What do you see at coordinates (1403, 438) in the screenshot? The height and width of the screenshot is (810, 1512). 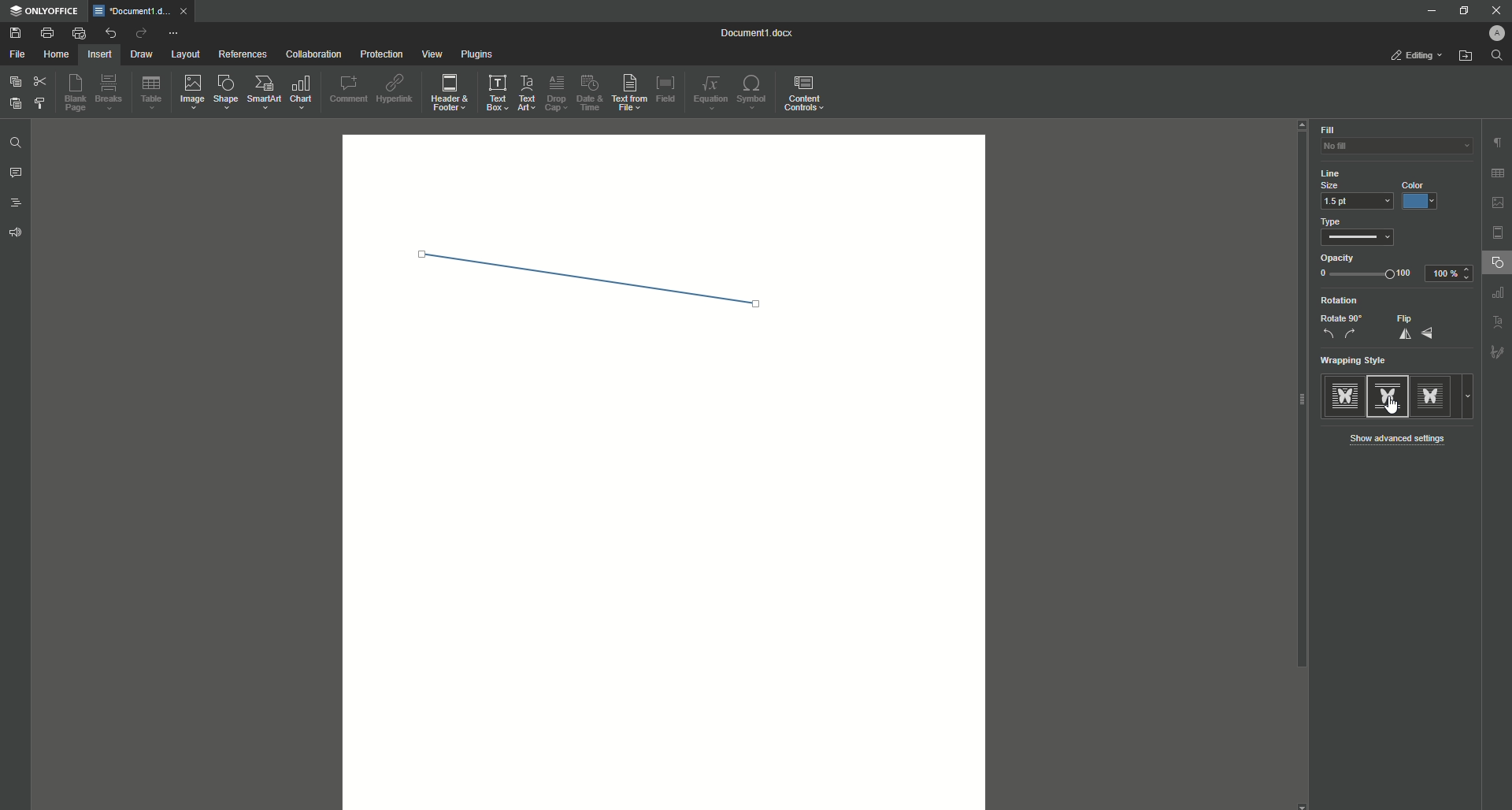 I see `Show Advanced Settings` at bounding box center [1403, 438].